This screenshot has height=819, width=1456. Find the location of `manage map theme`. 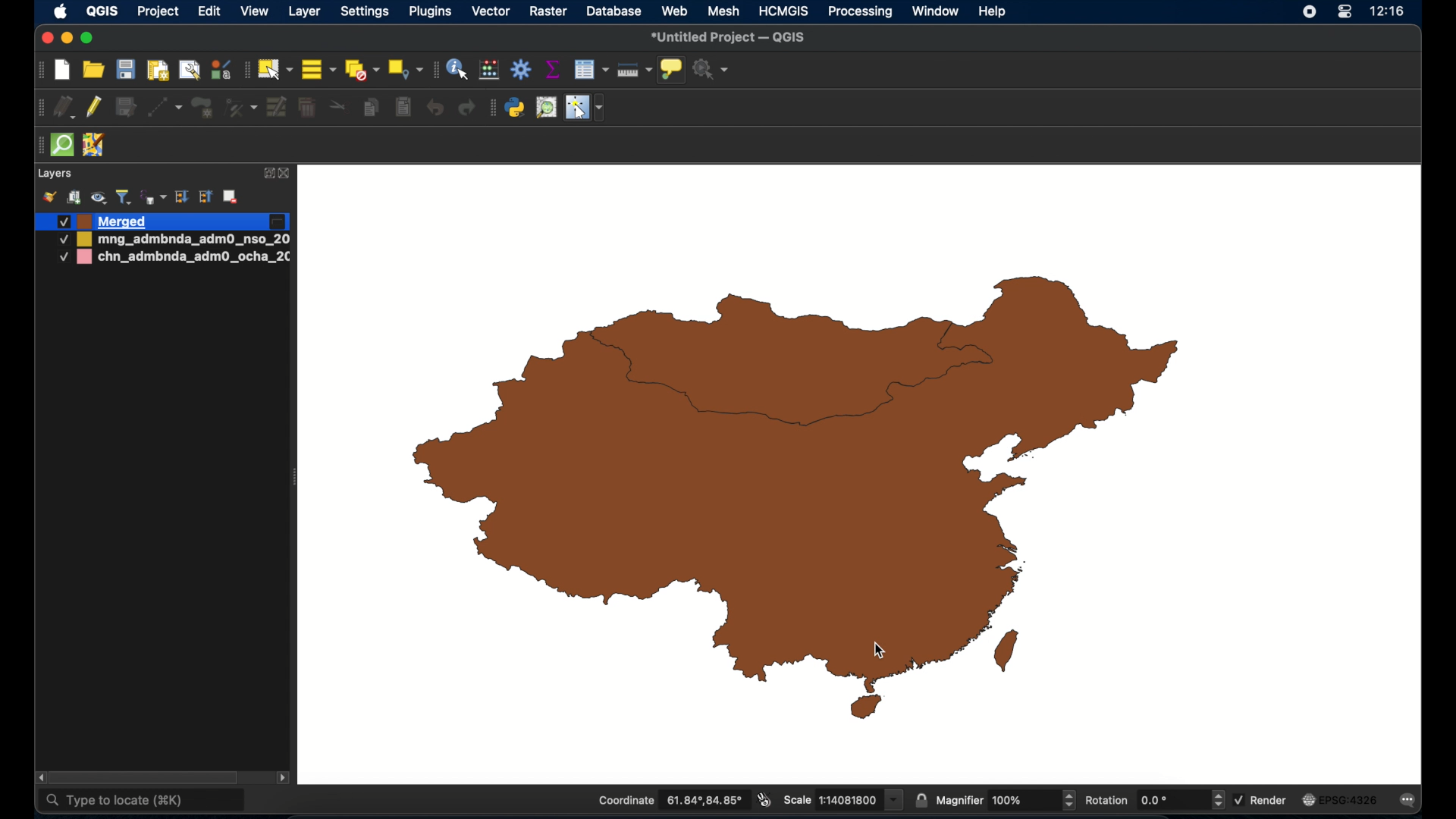

manage map theme is located at coordinates (98, 198).